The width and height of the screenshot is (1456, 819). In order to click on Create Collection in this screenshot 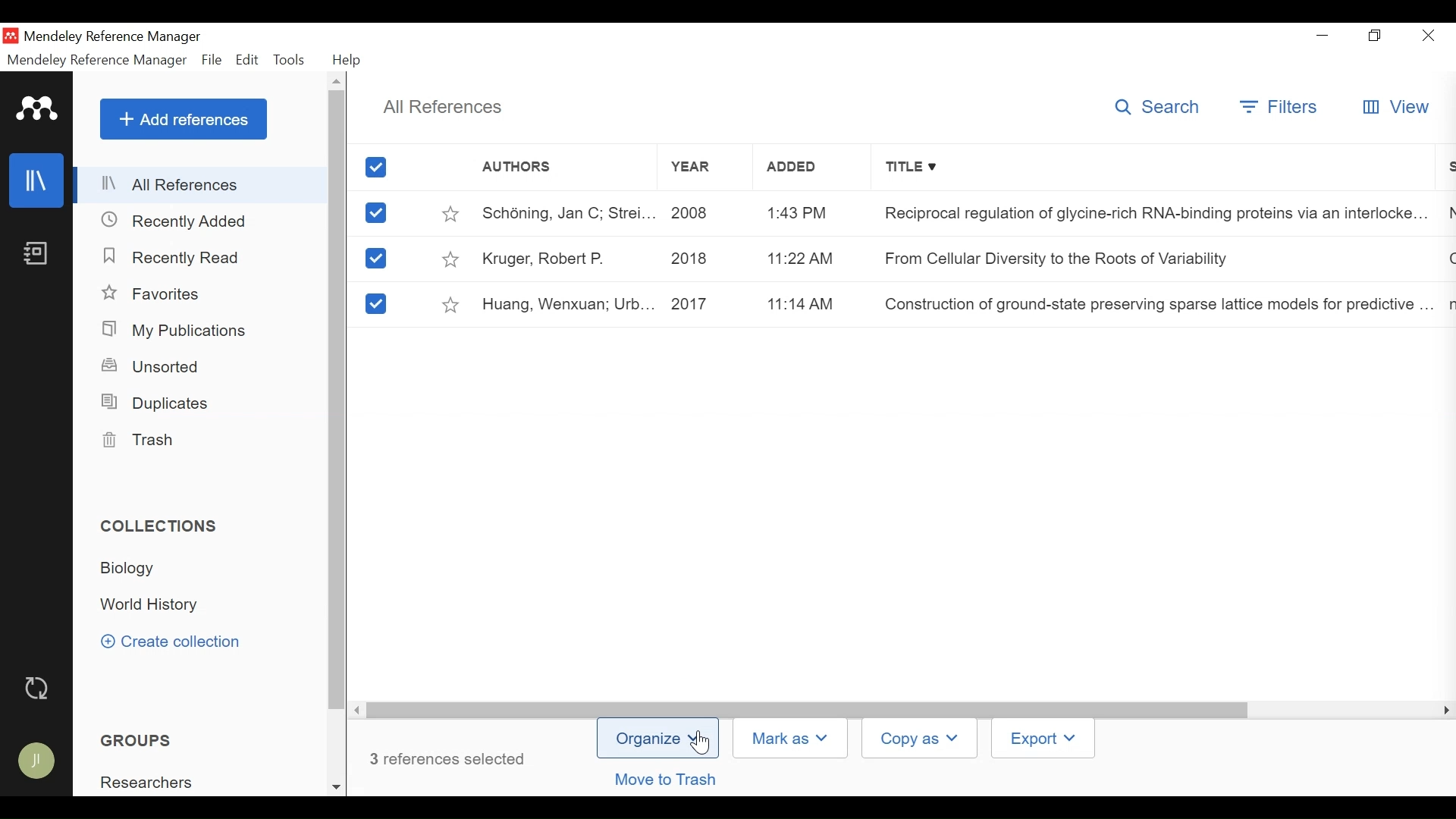, I will do `click(180, 643)`.